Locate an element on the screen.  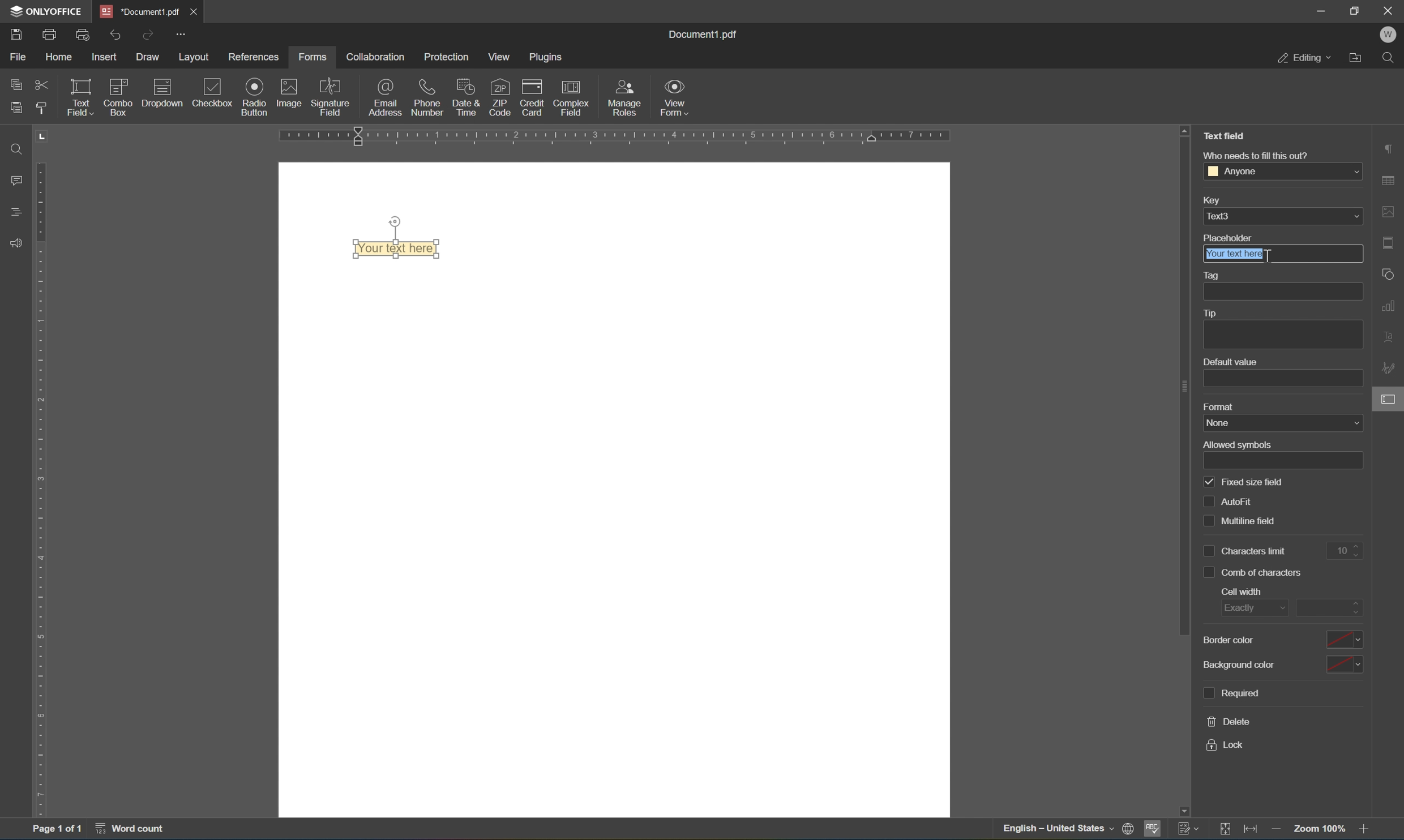
close is located at coordinates (1389, 10).